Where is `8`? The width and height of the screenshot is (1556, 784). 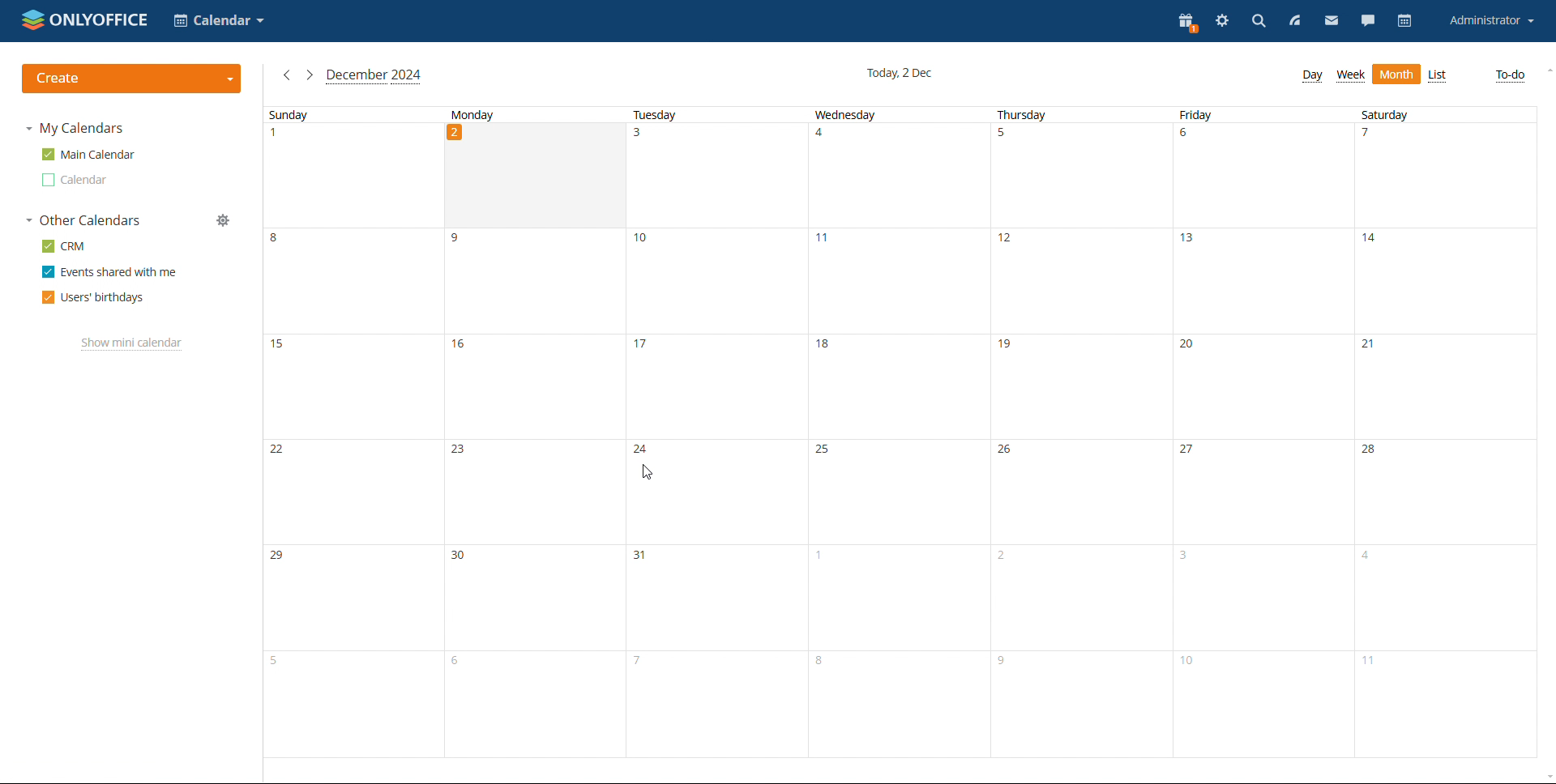
8 is located at coordinates (281, 242).